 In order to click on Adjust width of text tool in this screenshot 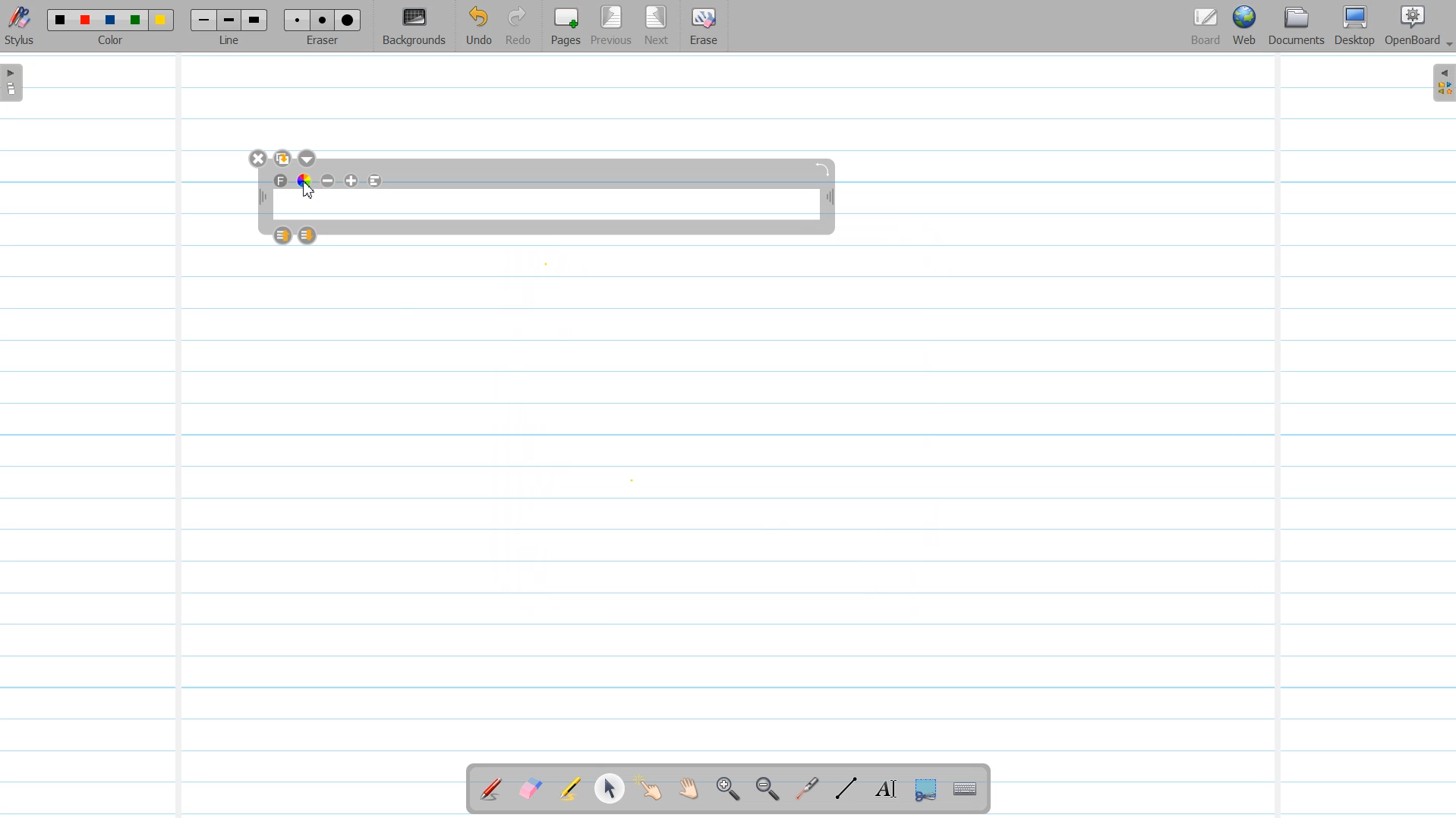, I will do `click(830, 199)`.